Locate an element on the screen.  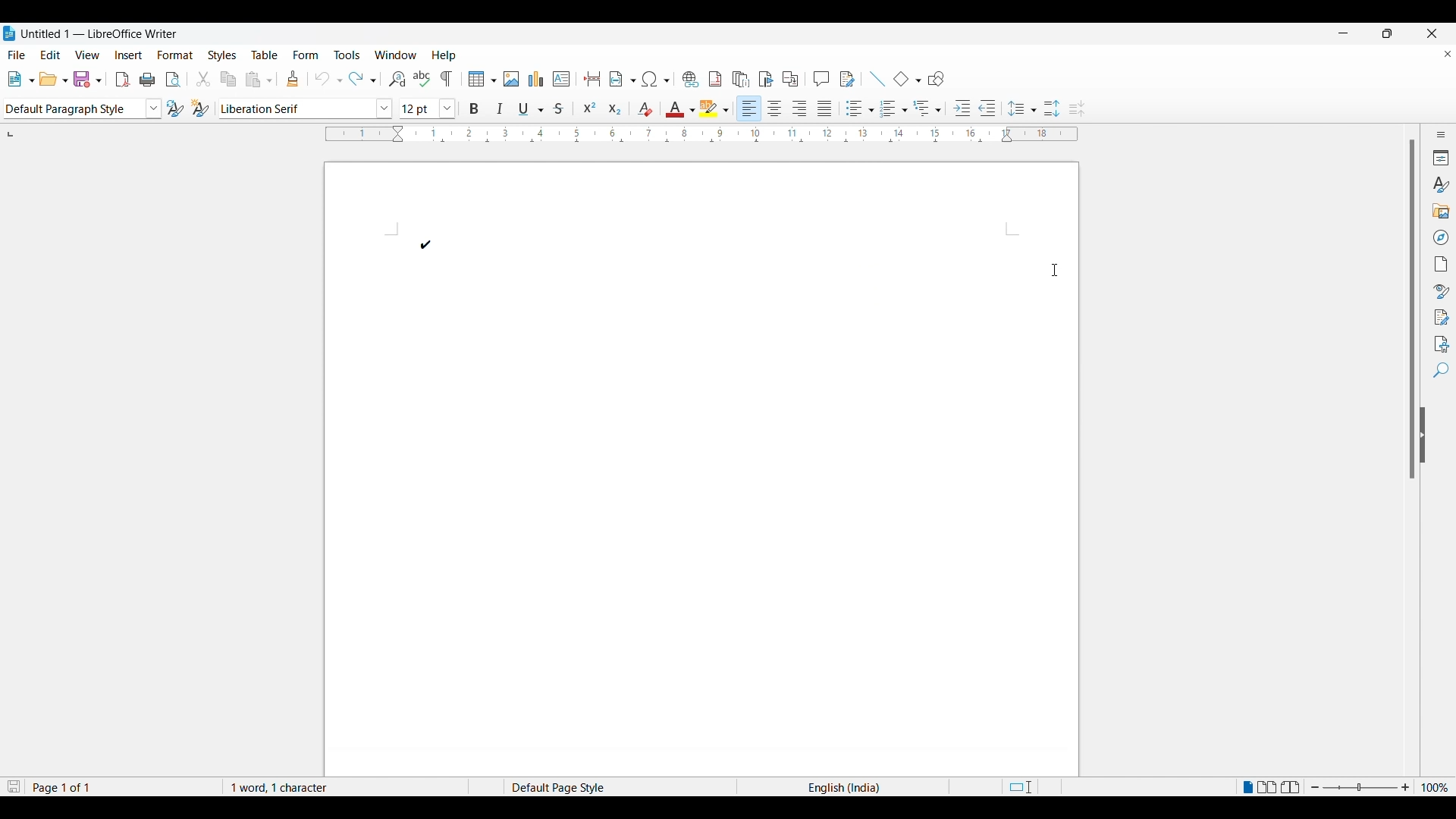
subscript is located at coordinates (614, 106).